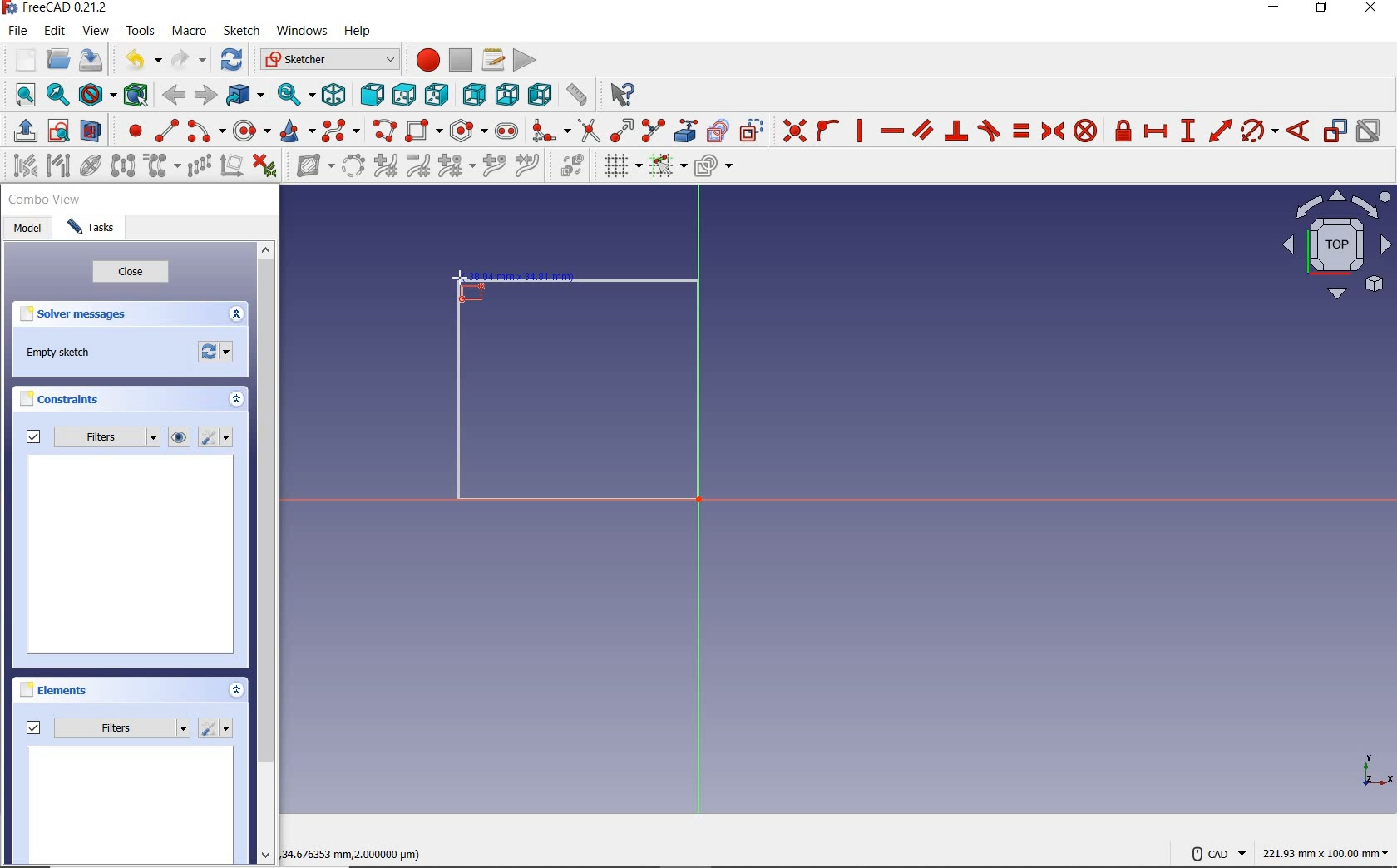  Describe the element at coordinates (623, 96) in the screenshot. I see `what's this?` at that location.